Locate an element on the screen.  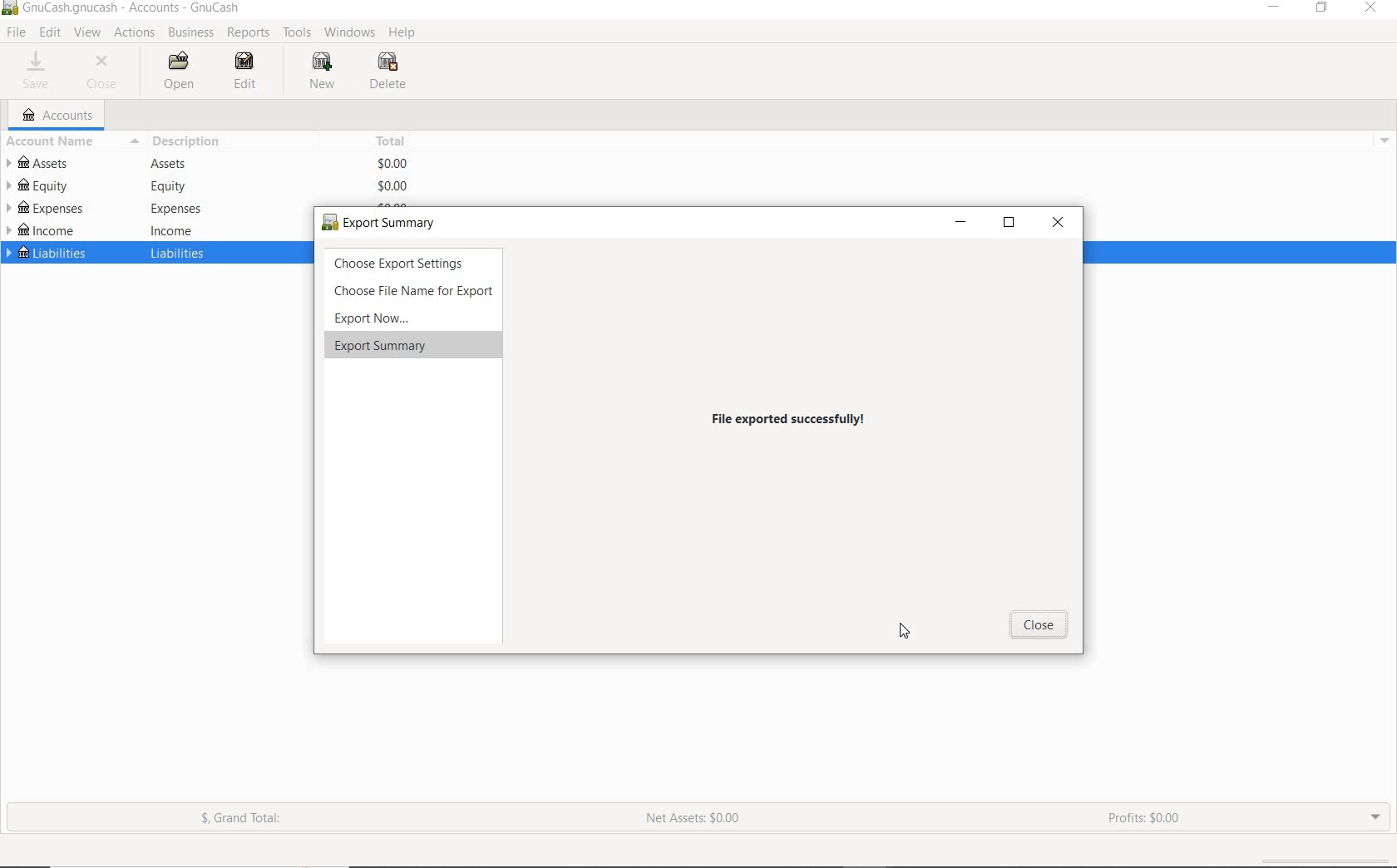
HELP is located at coordinates (402, 33).